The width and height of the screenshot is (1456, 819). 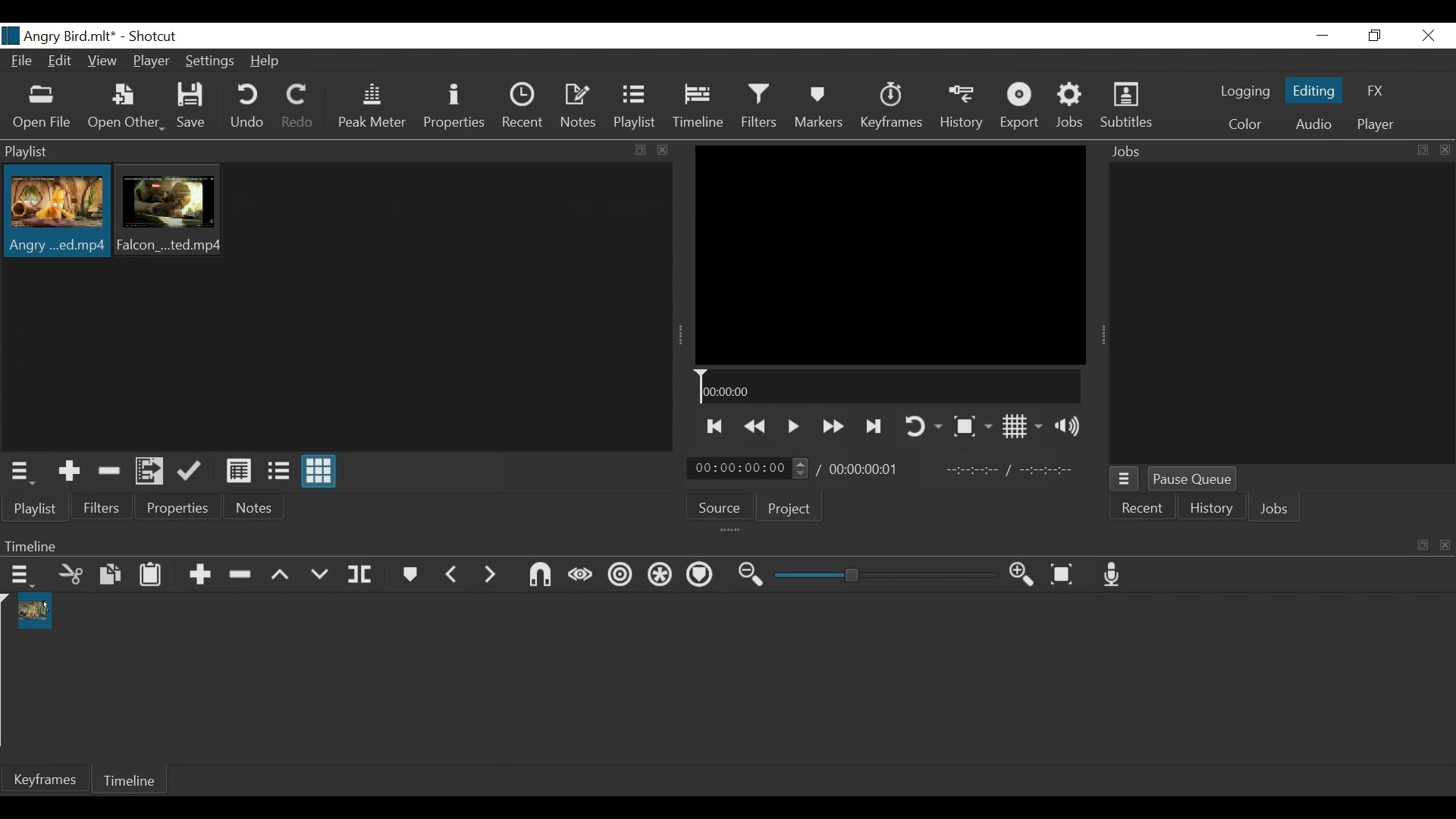 What do you see at coordinates (1313, 124) in the screenshot?
I see `Audio` at bounding box center [1313, 124].